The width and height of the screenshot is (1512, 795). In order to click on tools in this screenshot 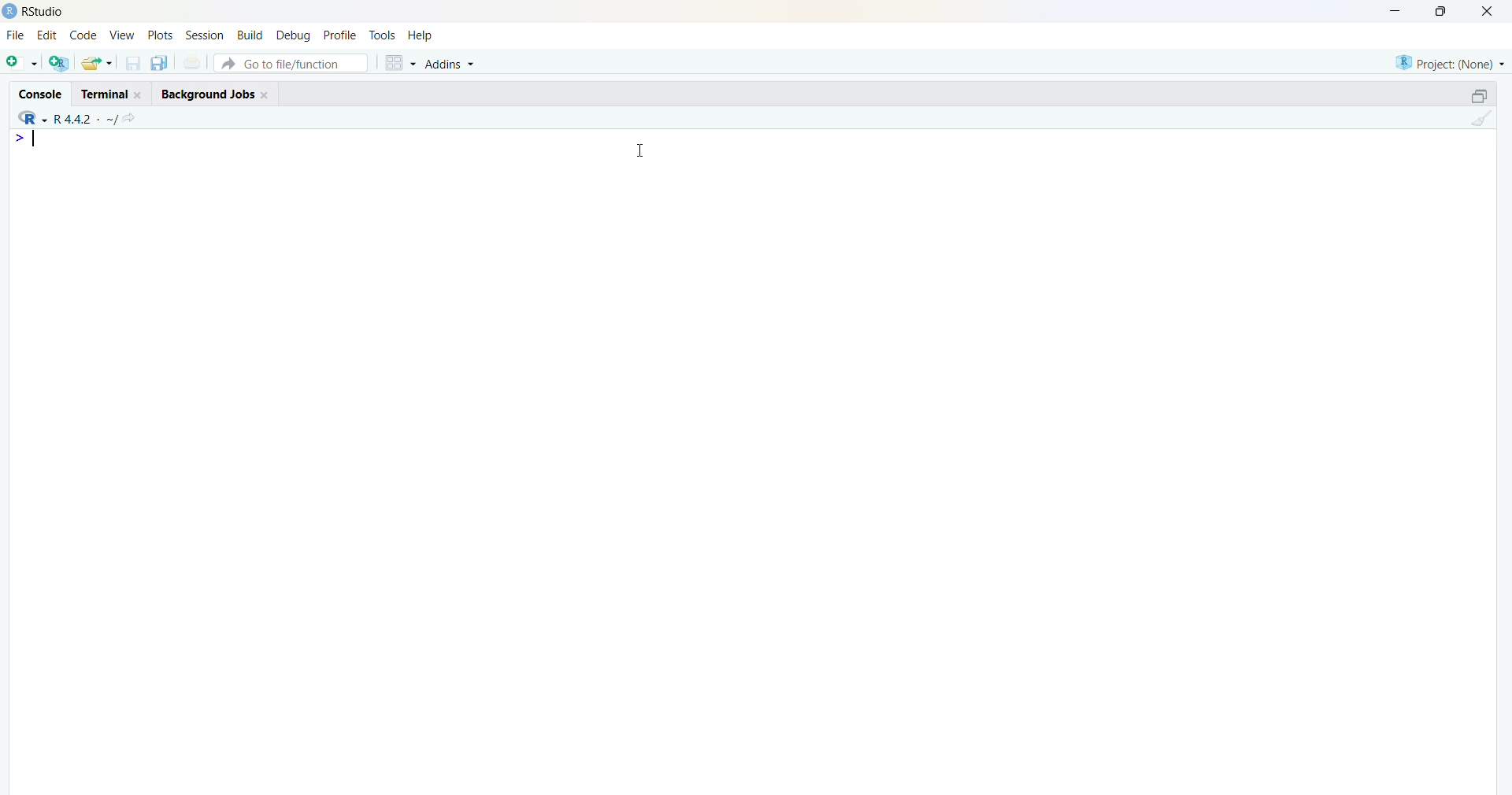, I will do `click(384, 35)`.